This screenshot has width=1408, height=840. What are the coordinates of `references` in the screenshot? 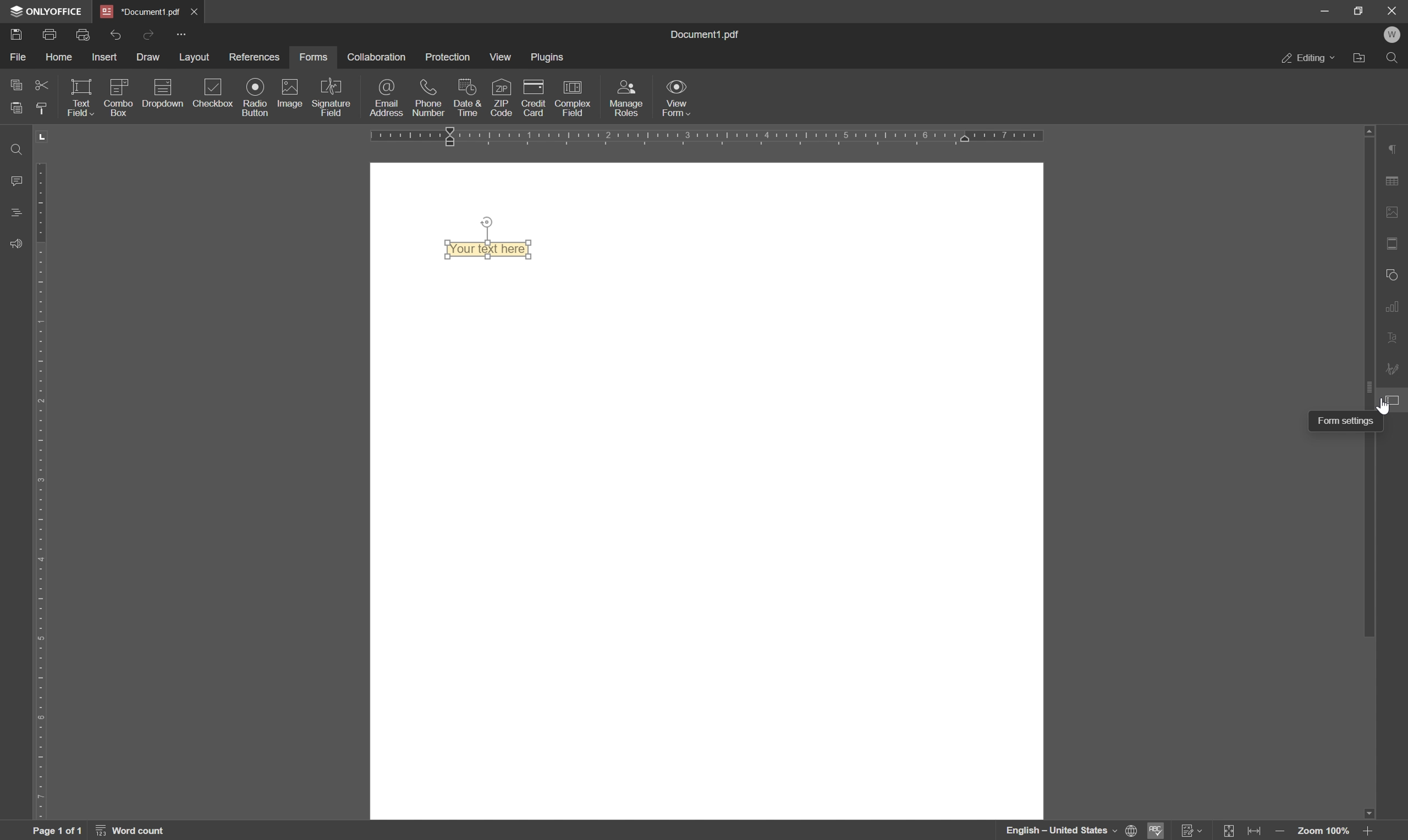 It's located at (255, 57).